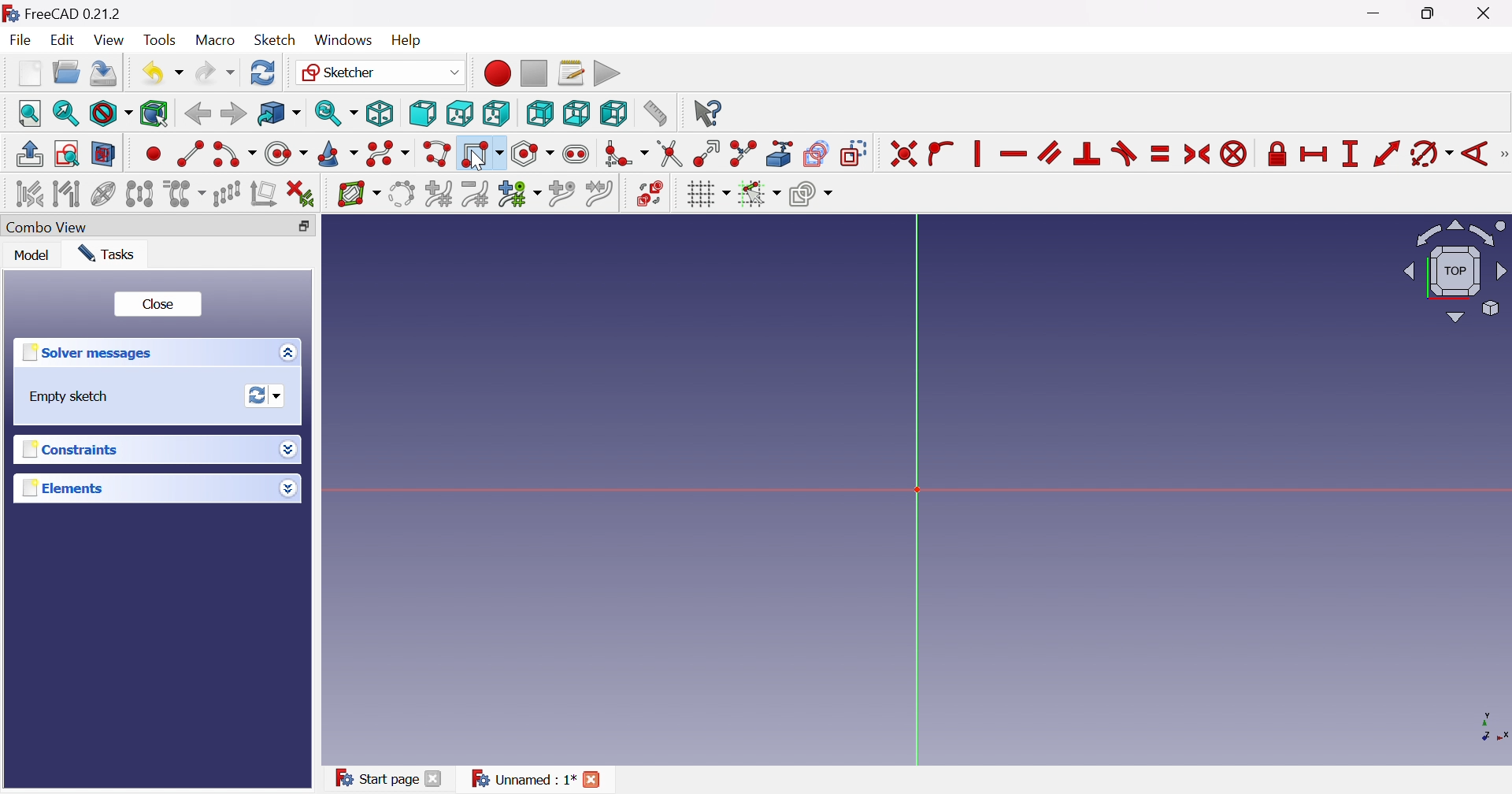  What do you see at coordinates (578, 154) in the screenshot?
I see `Create slot` at bounding box center [578, 154].